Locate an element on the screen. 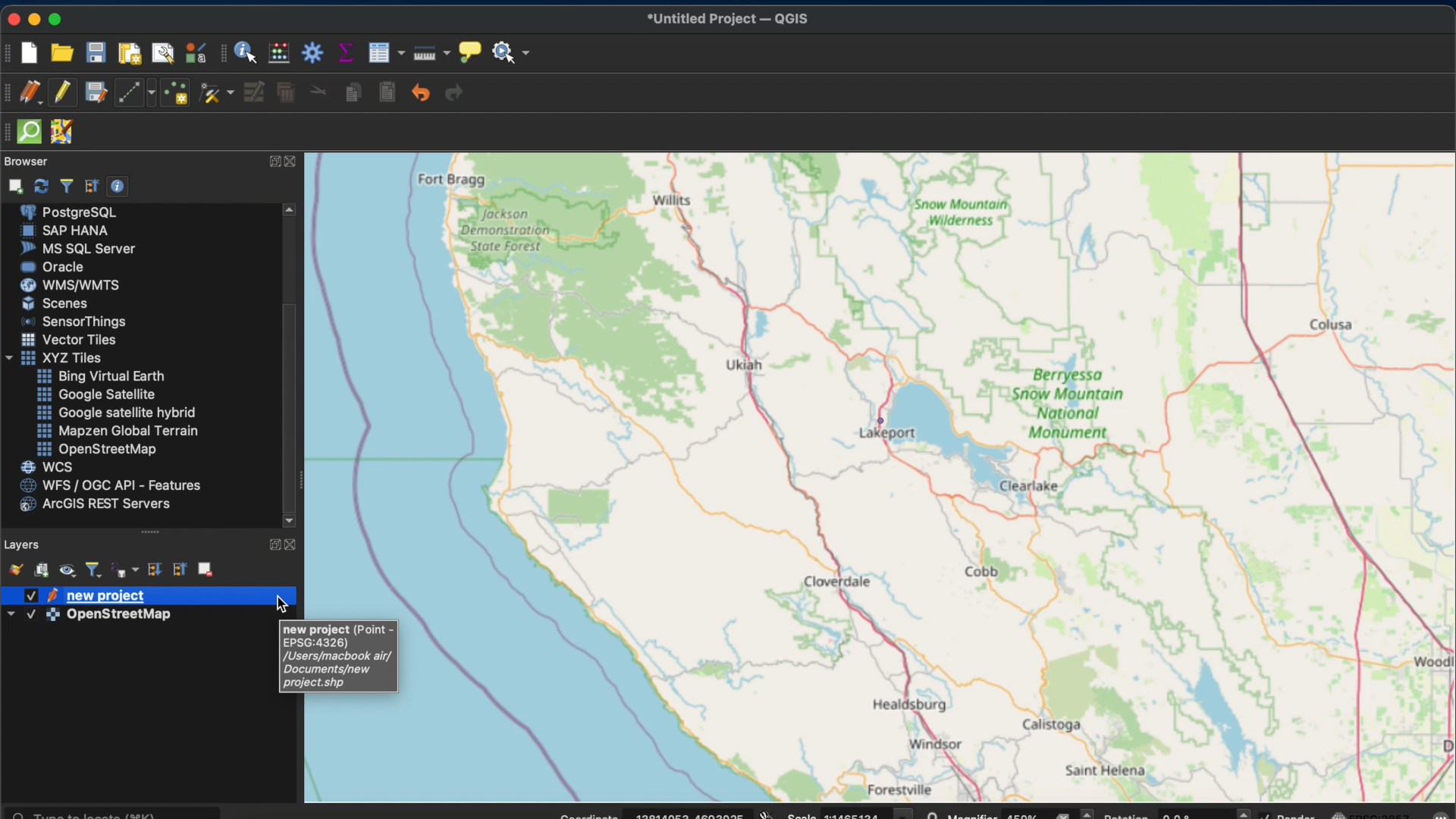 This screenshot has width=1456, height=819. scroll up arrow is located at coordinates (292, 209).